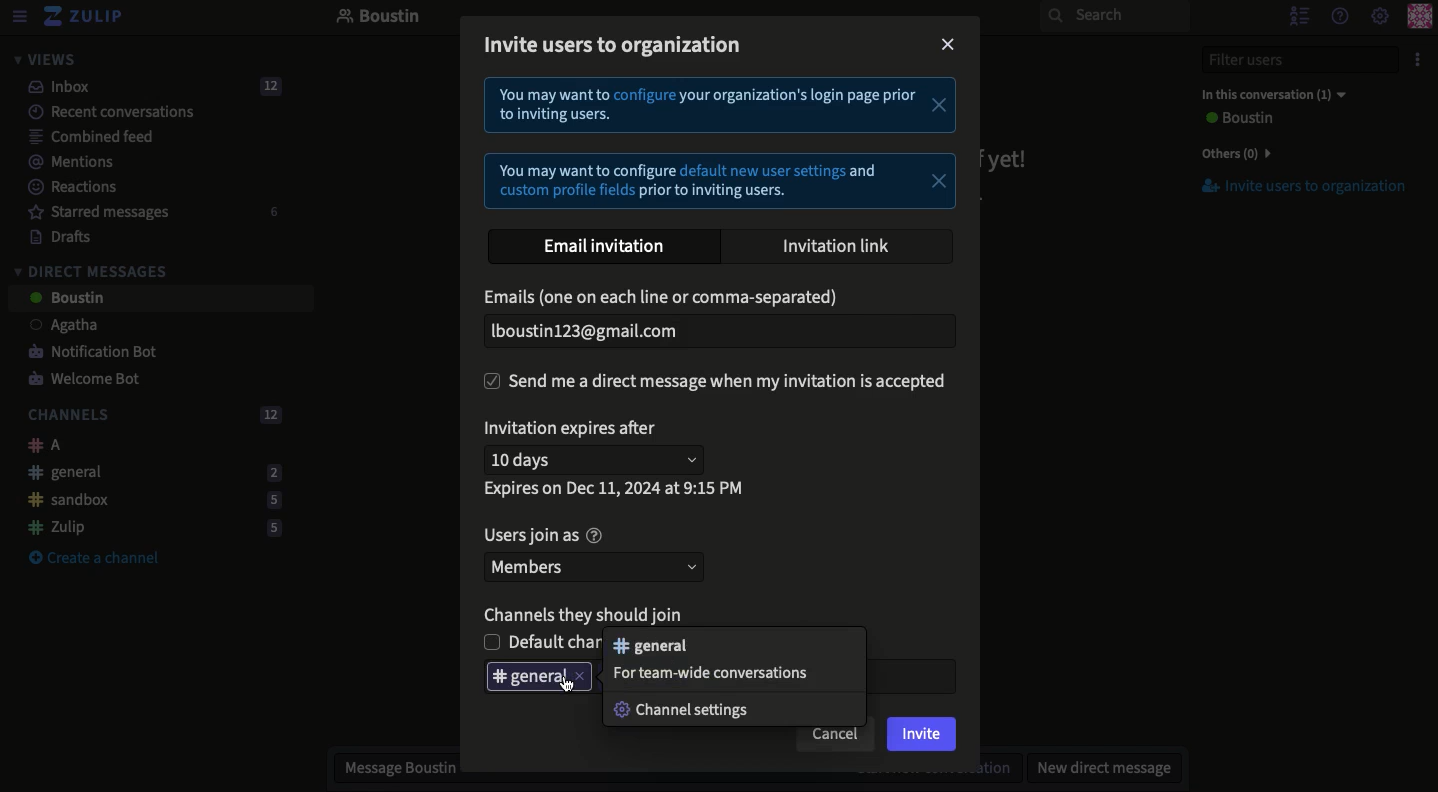 The image size is (1438, 792). Describe the element at coordinates (1297, 15) in the screenshot. I see `Hide users list` at that location.